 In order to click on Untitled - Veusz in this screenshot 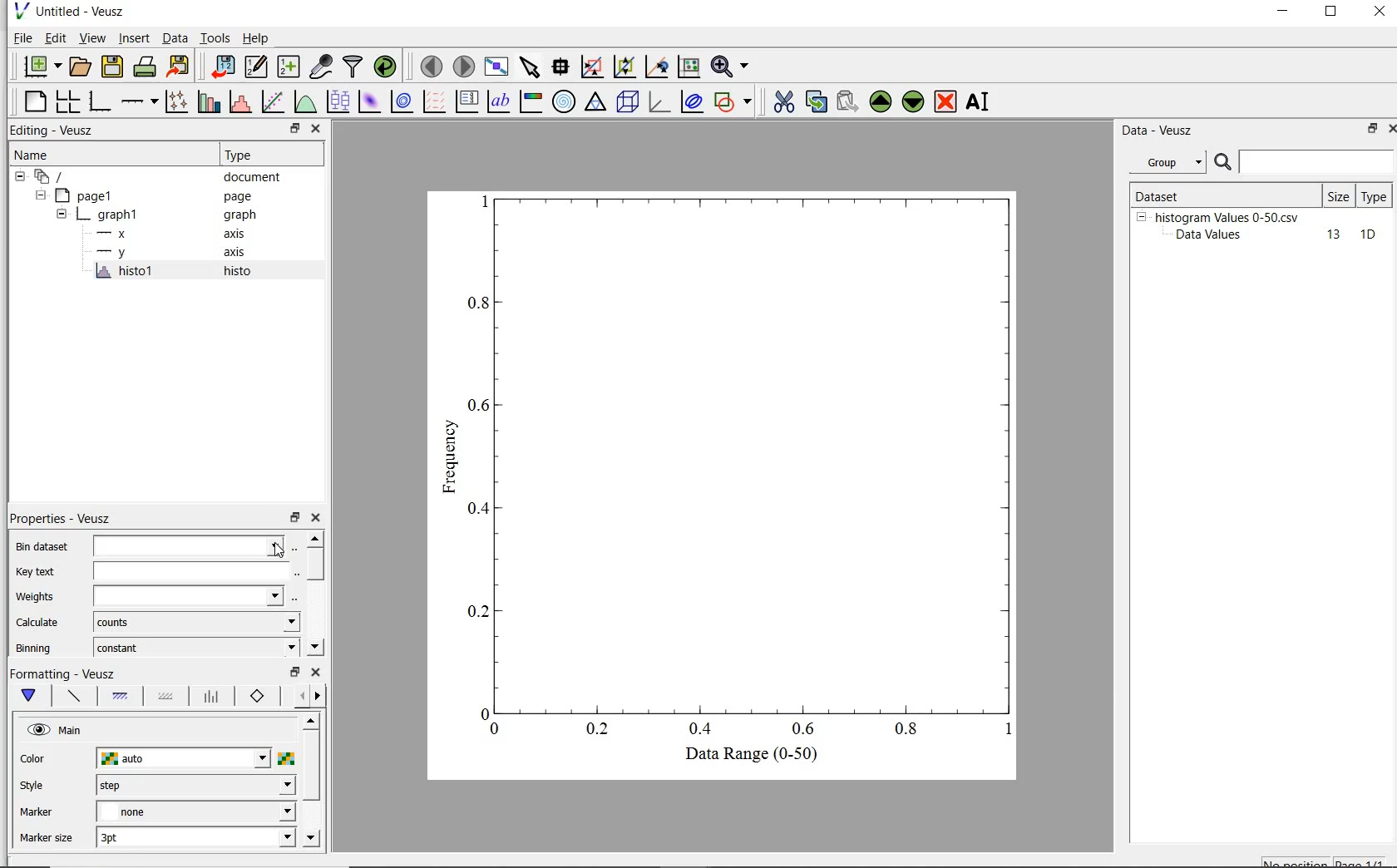, I will do `click(84, 11)`.